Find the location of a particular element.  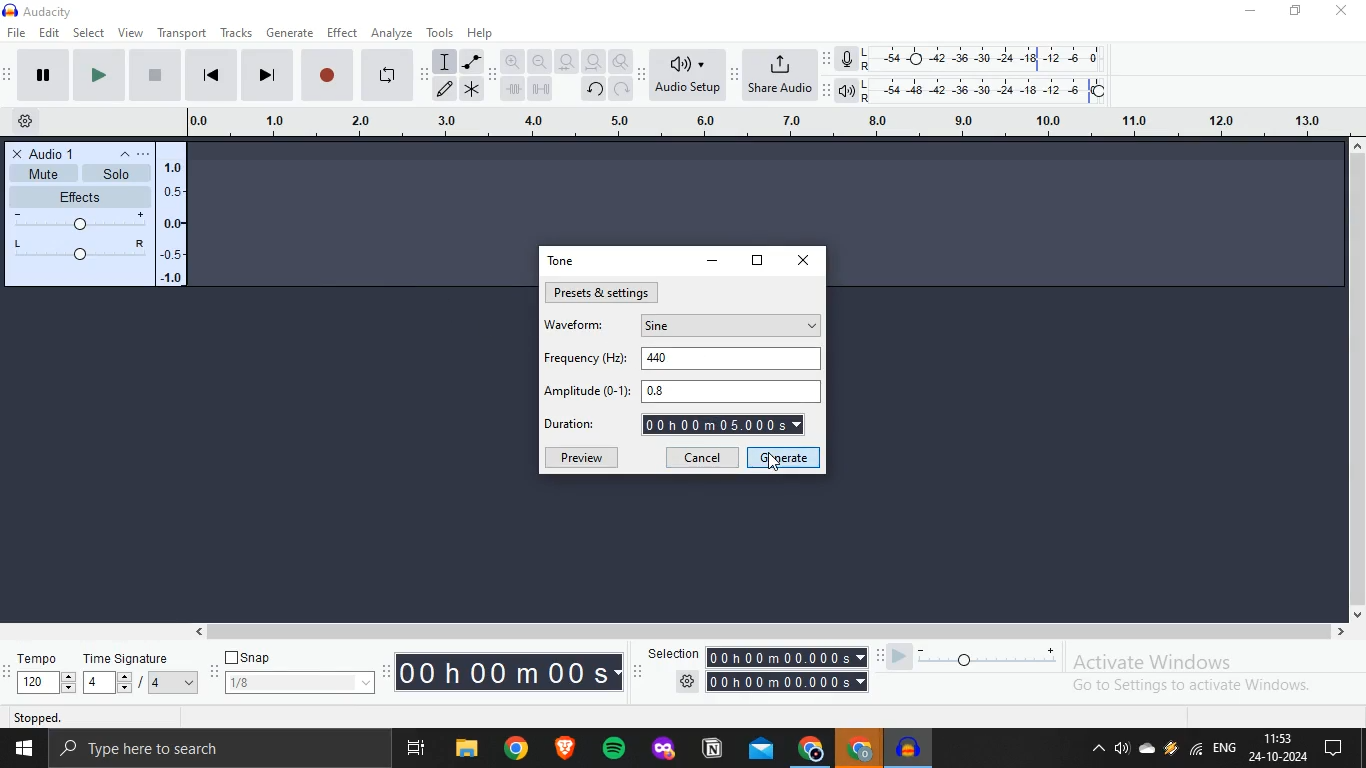

Tone is located at coordinates (563, 261).